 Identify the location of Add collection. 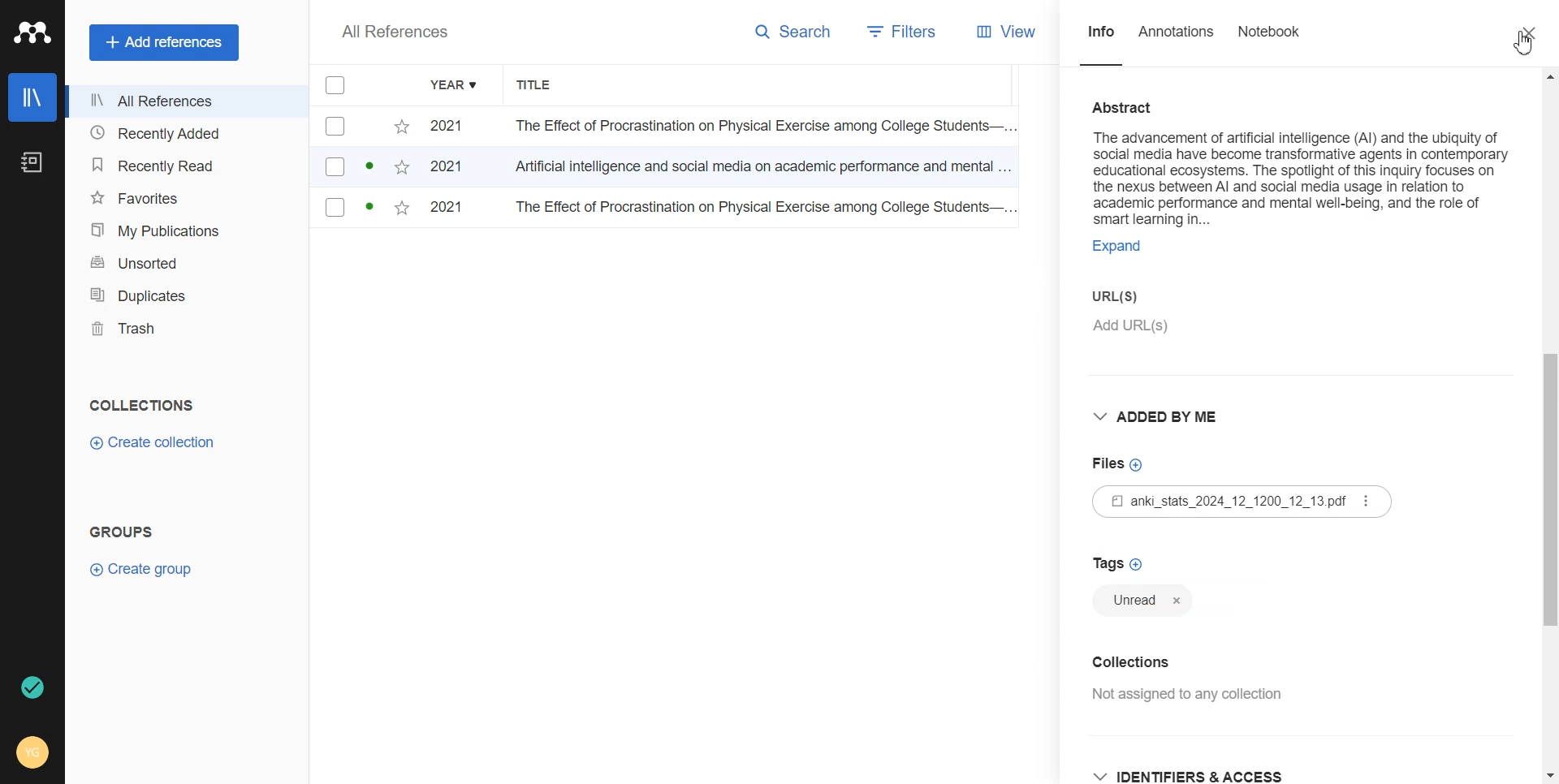
(1187, 663).